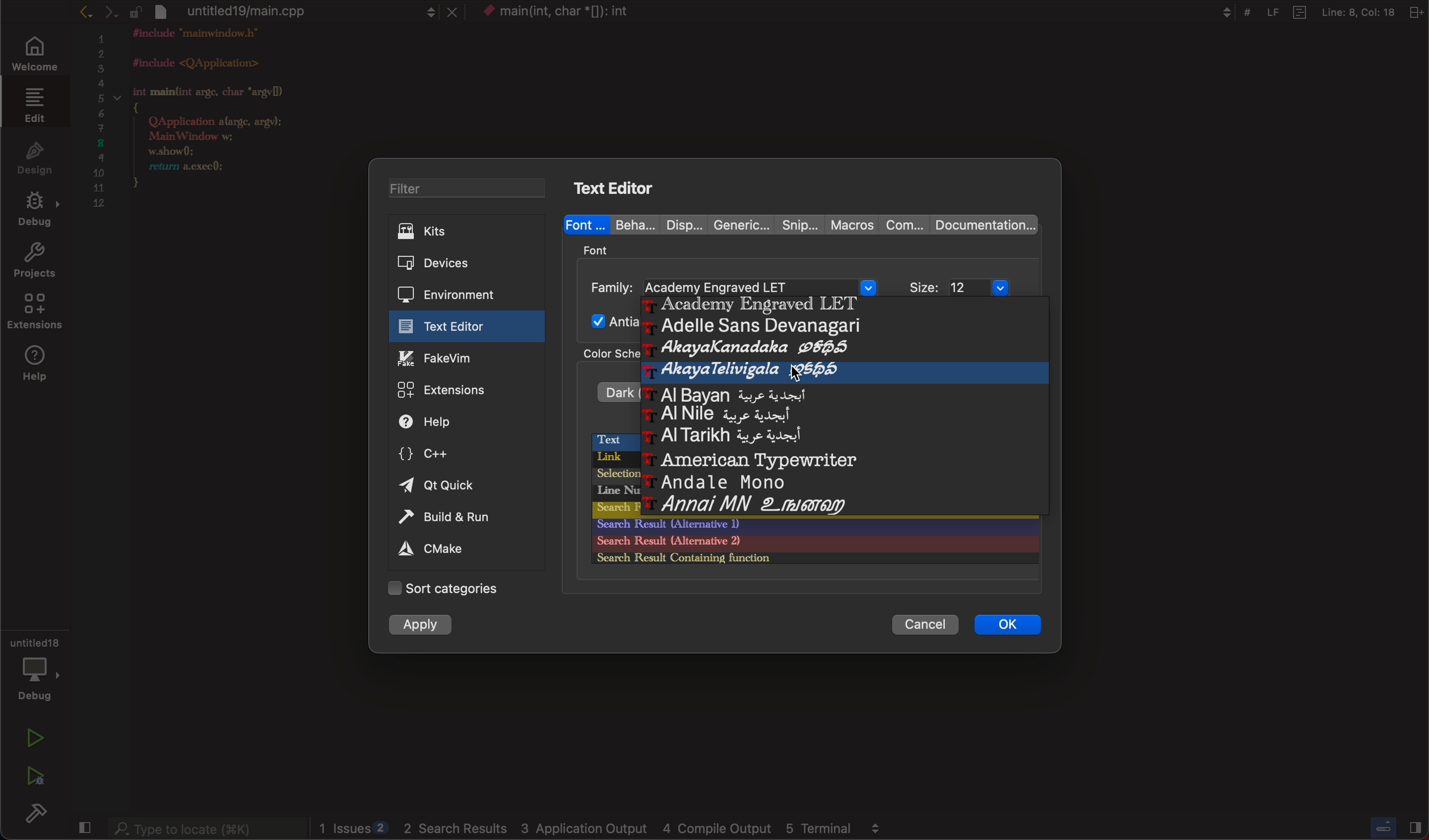 Image resolution: width=1429 pixels, height=840 pixels. I want to click on al tarikh, so click(716, 436).